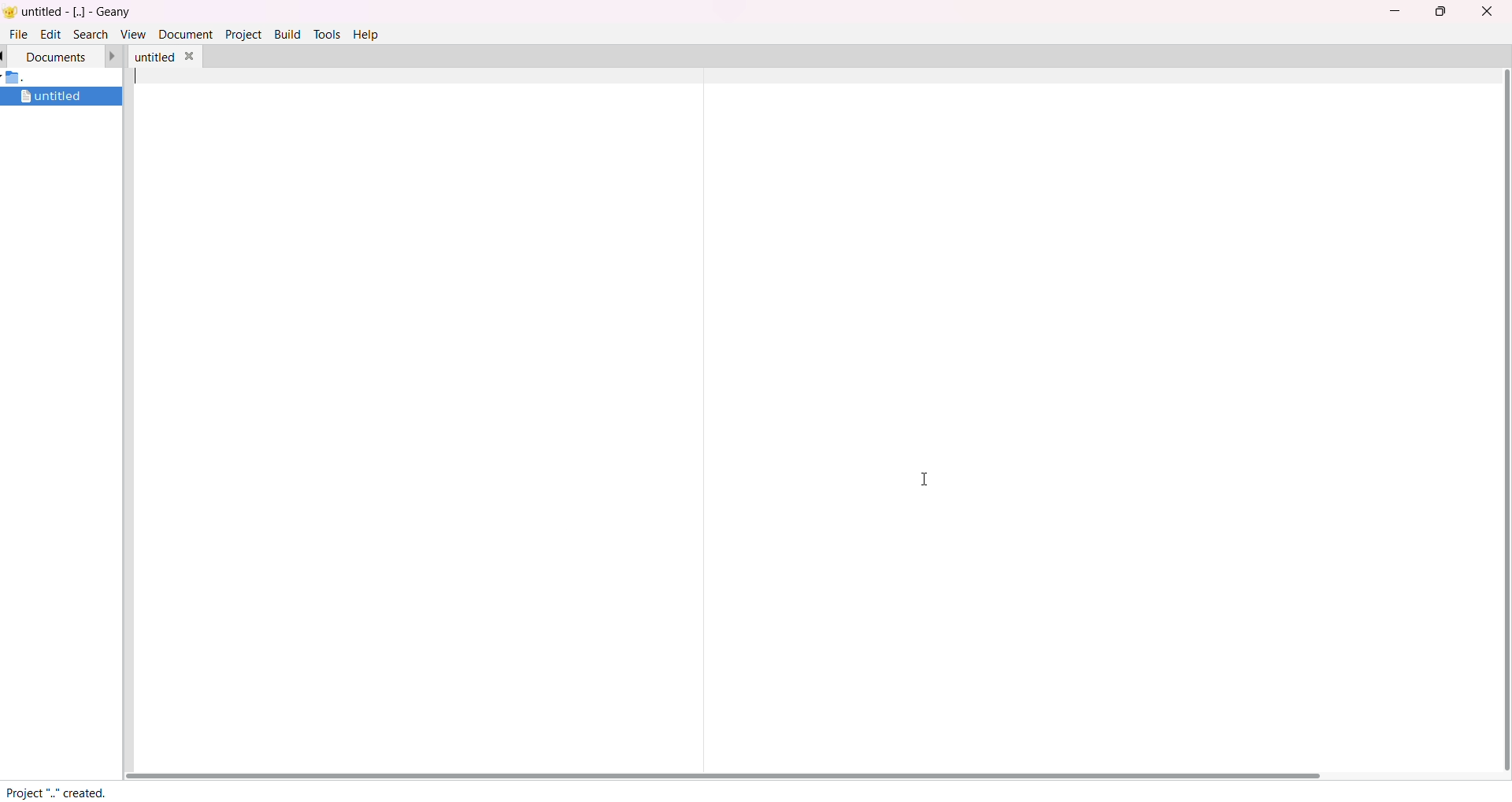  Describe the element at coordinates (65, 442) in the screenshot. I see `project manager` at that location.